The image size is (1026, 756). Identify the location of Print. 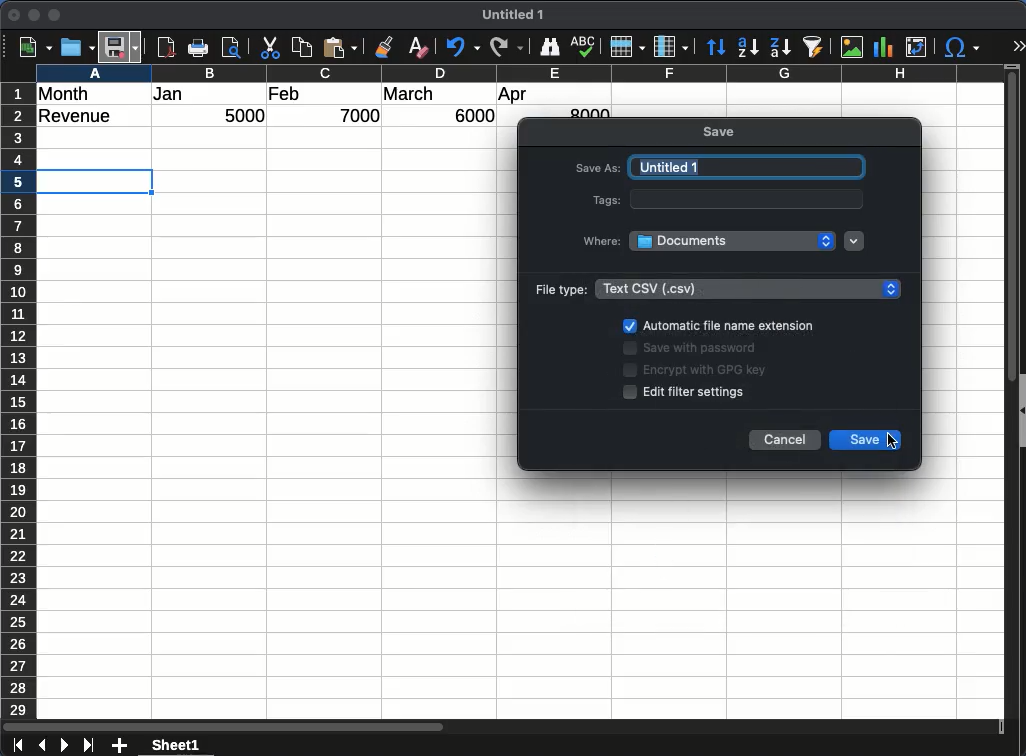
(201, 48).